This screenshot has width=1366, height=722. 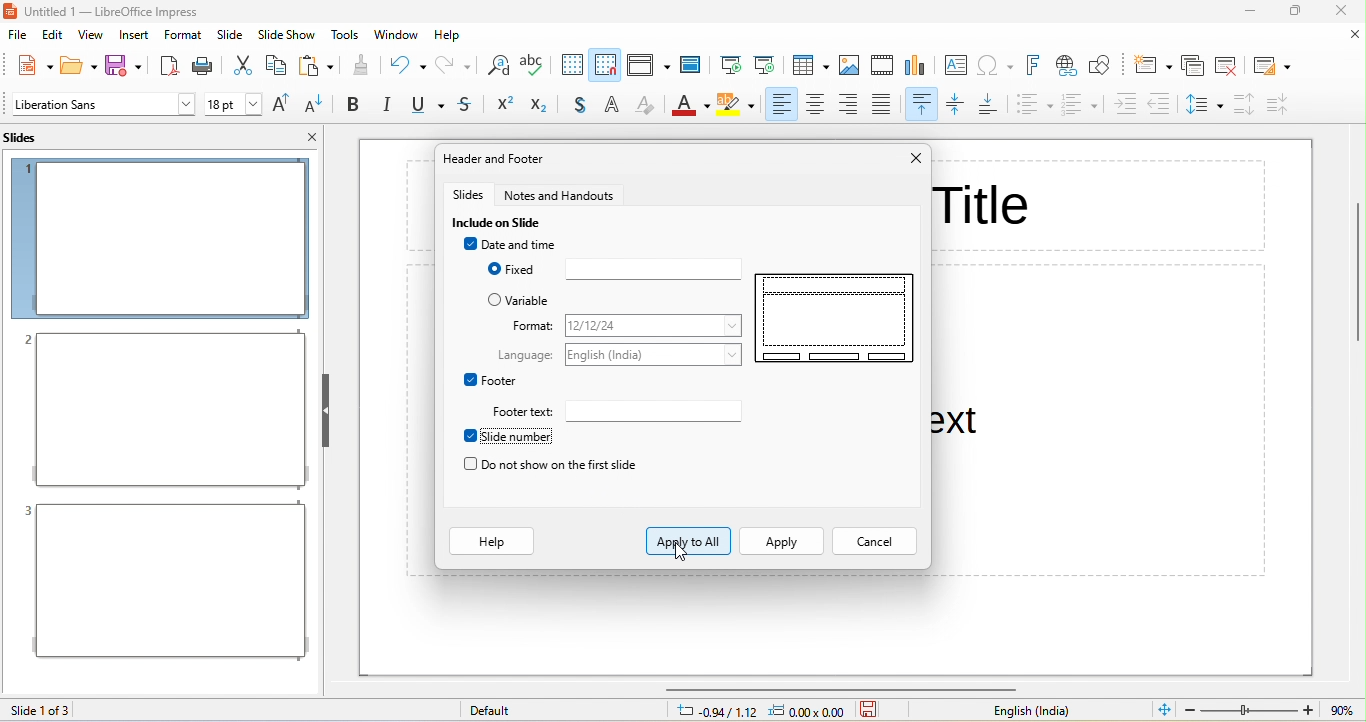 I want to click on zoom, so click(x=1251, y=710).